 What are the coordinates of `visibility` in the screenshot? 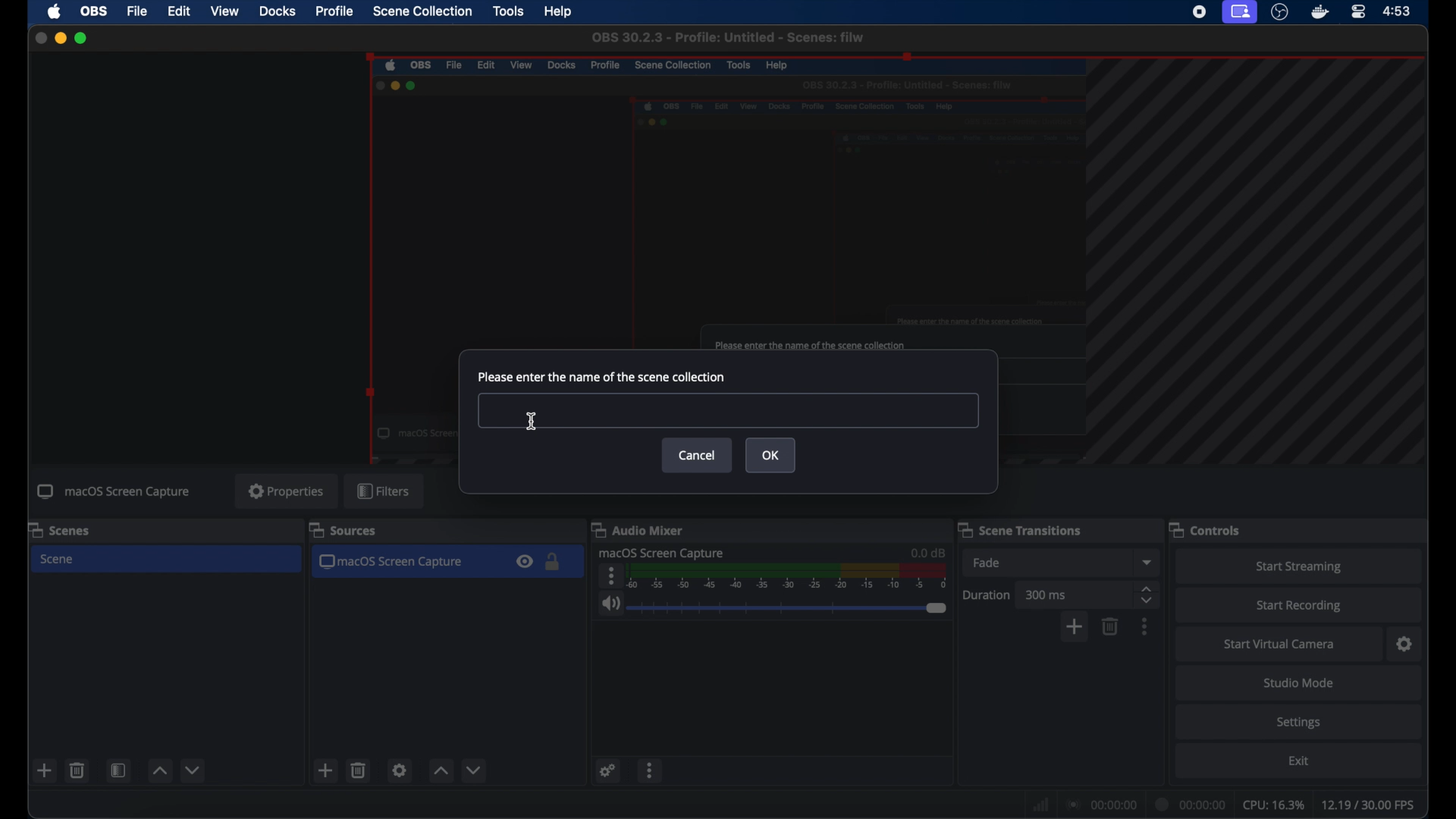 It's located at (525, 563).